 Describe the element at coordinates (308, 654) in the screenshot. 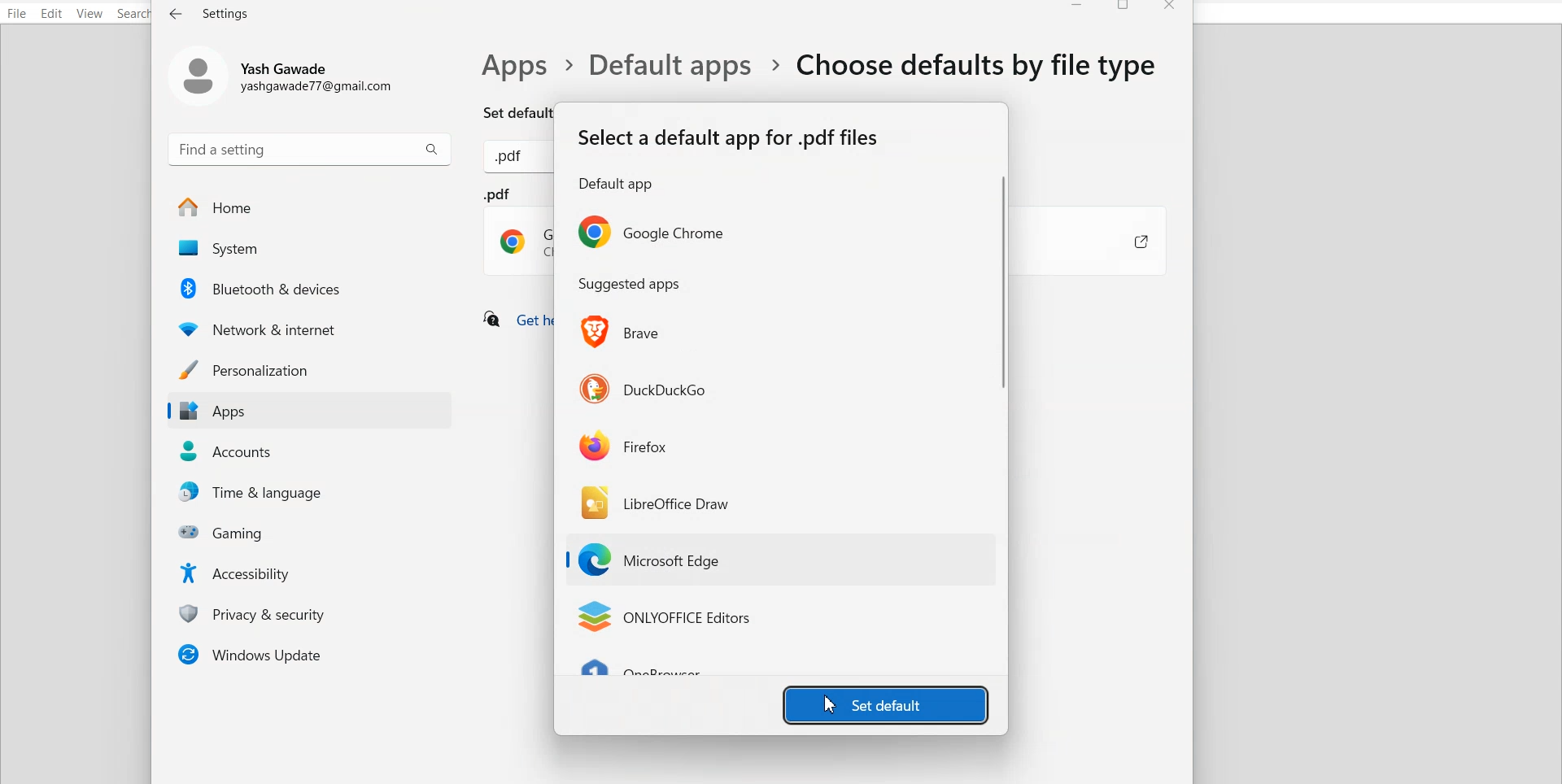

I see `Window Updates` at that location.